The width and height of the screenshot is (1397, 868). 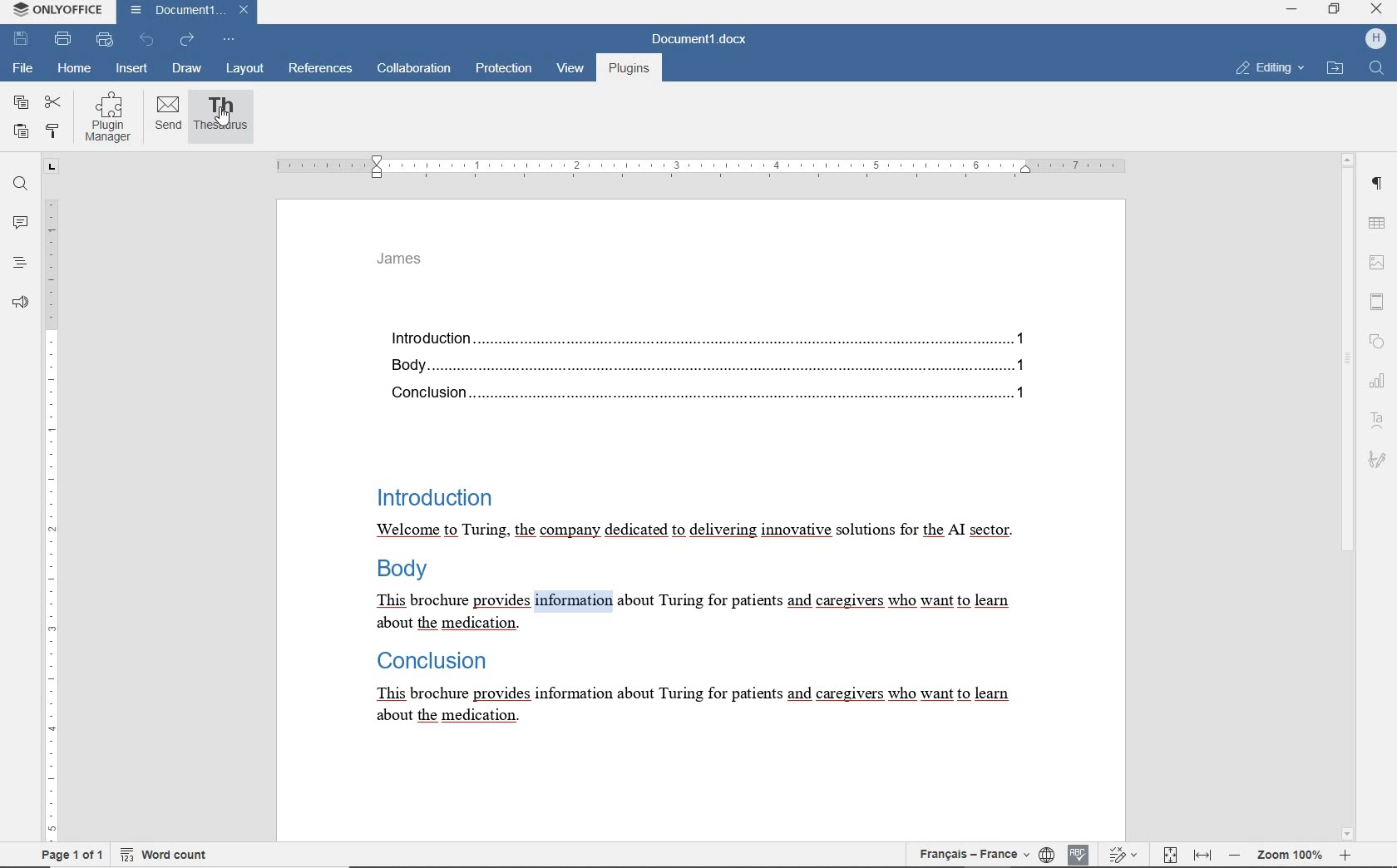 What do you see at coordinates (49, 500) in the screenshot?
I see `RULER` at bounding box center [49, 500].